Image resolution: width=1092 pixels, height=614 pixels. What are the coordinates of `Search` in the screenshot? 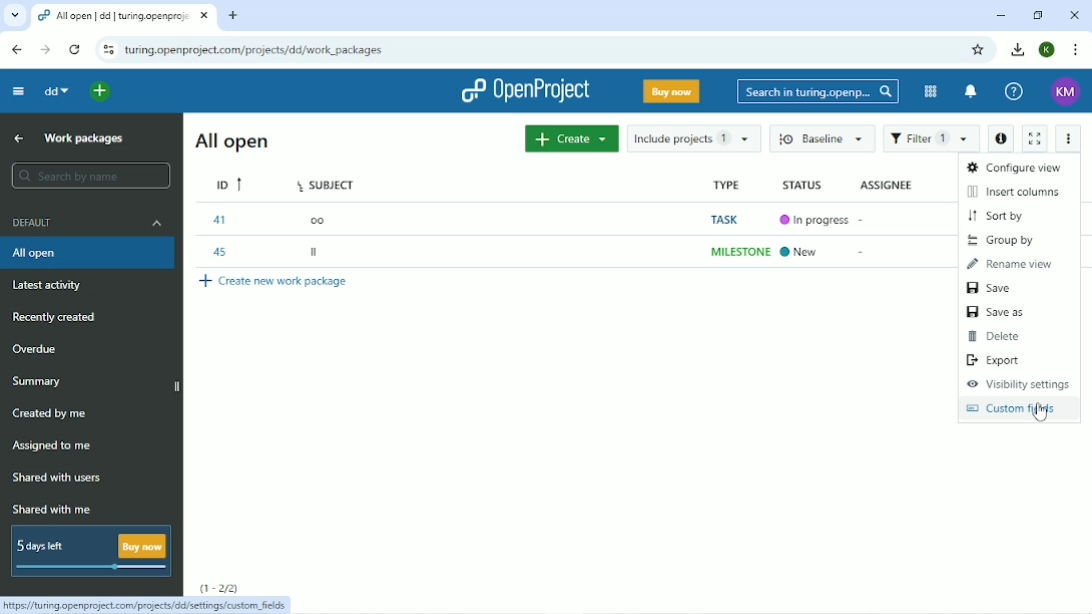 It's located at (819, 92).